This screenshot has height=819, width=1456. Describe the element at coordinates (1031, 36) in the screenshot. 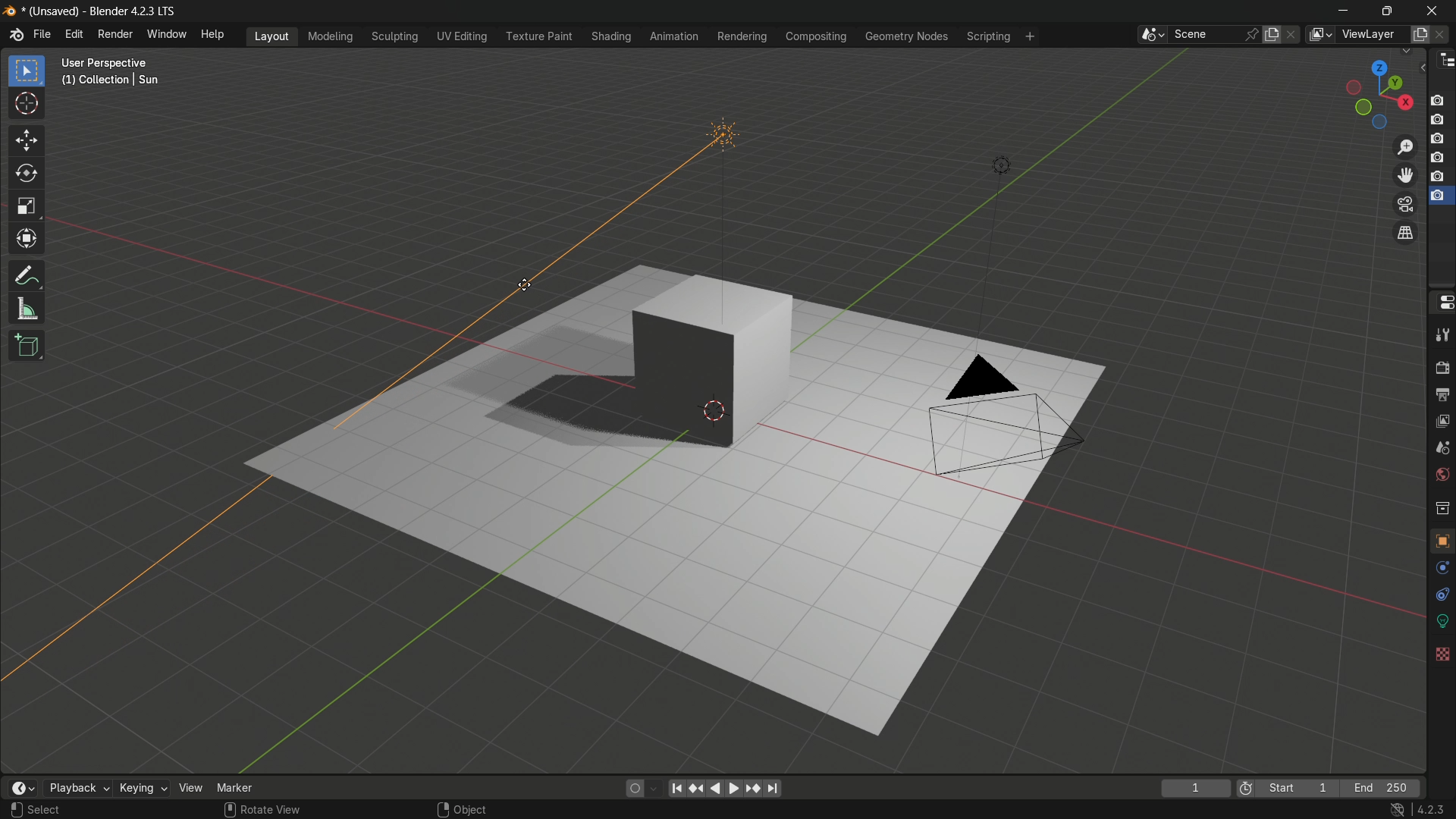

I see `add workplace` at that location.